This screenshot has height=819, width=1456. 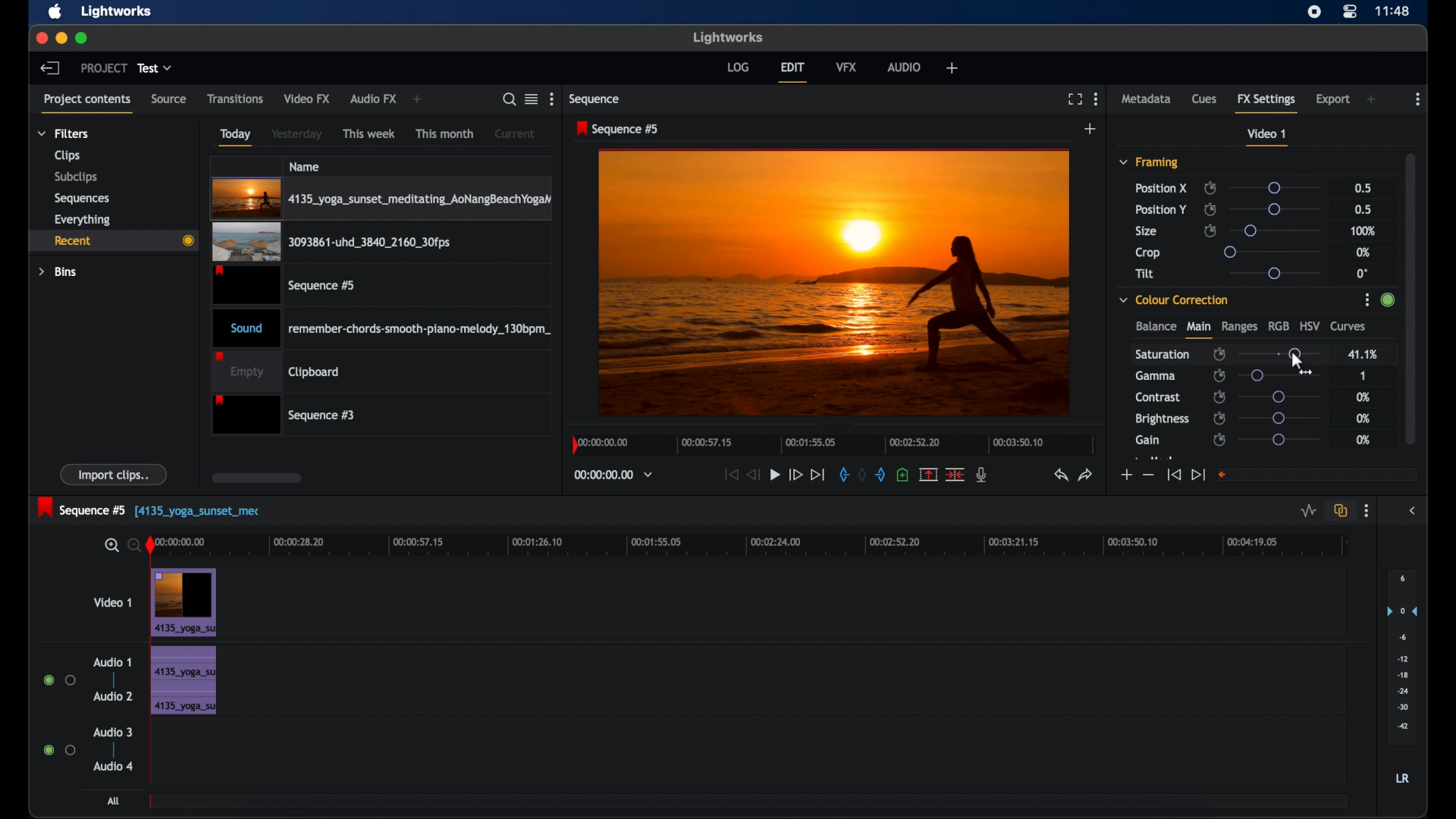 What do you see at coordinates (1364, 419) in the screenshot?
I see `0%` at bounding box center [1364, 419].